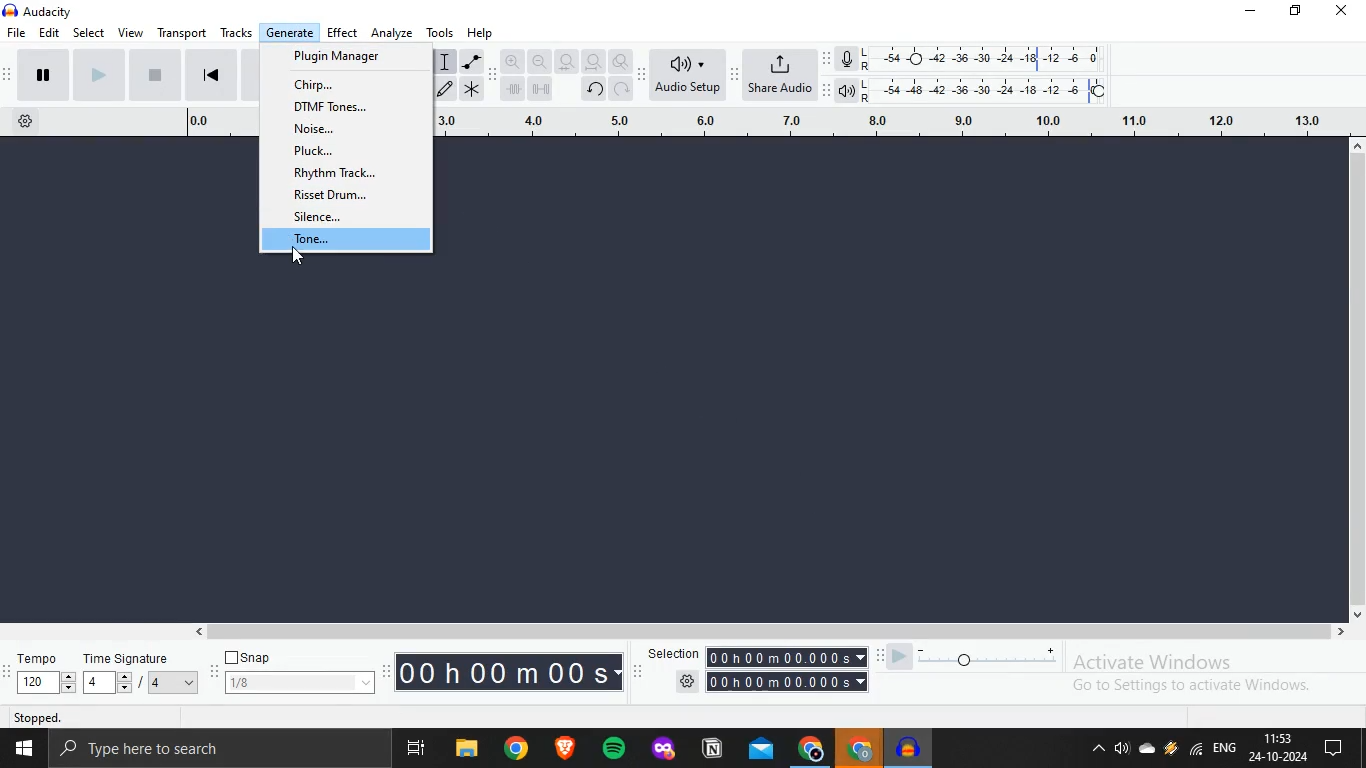  What do you see at coordinates (511, 61) in the screenshot?
I see `Zoom In` at bounding box center [511, 61].